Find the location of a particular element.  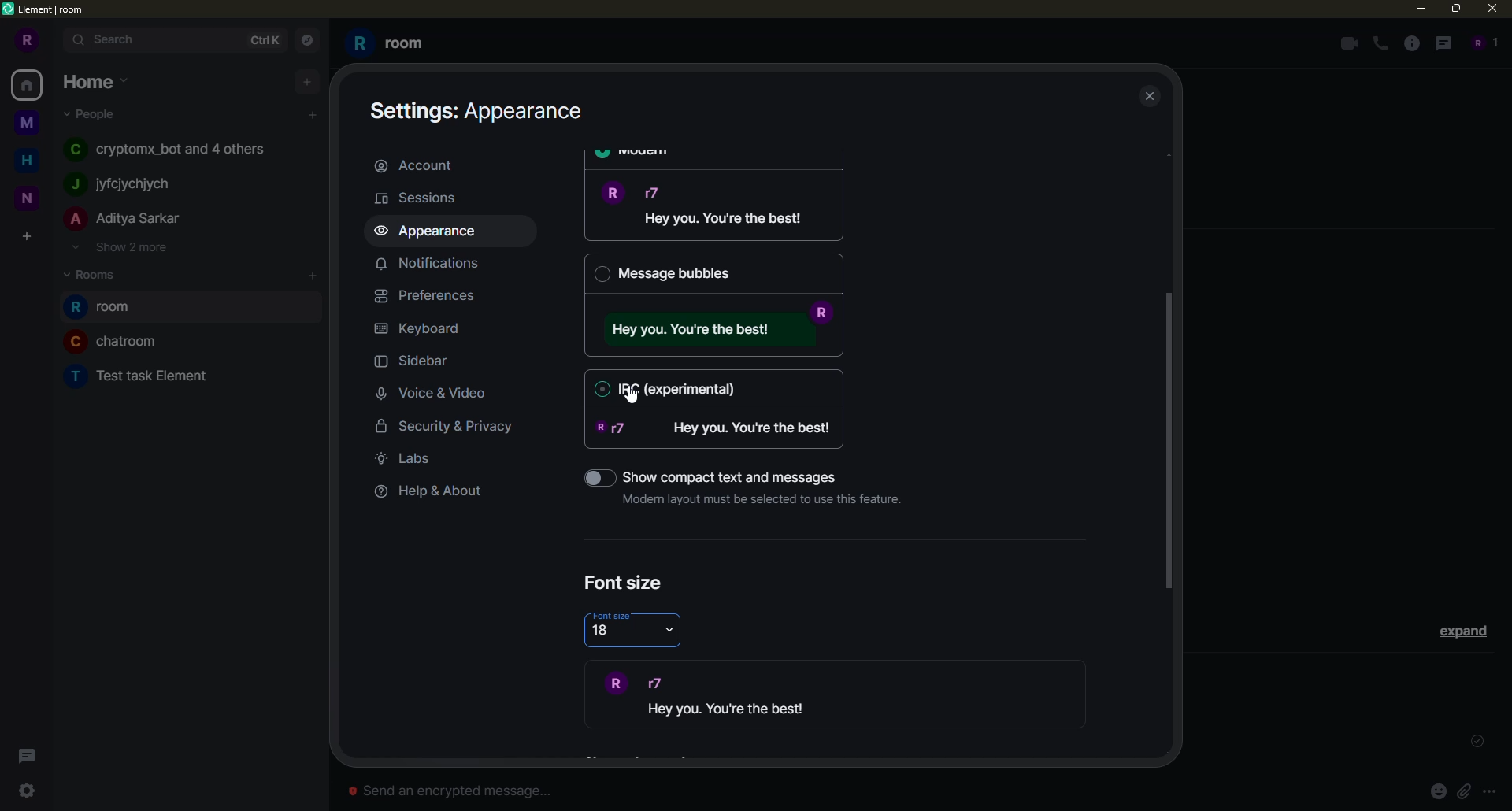

space is located at coordinates (28, 196).